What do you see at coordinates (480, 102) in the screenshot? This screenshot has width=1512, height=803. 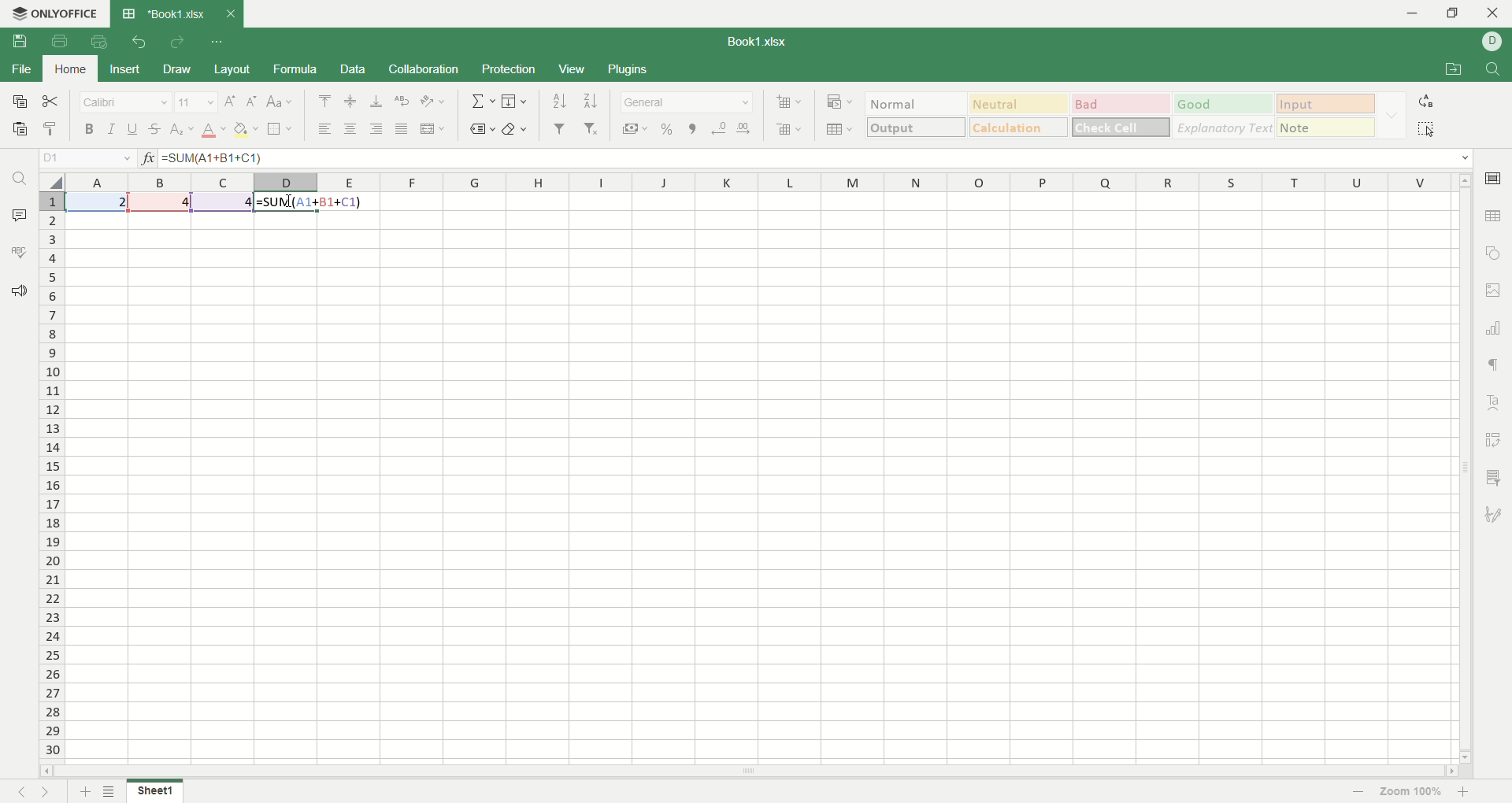 I see `summation` at bounding box center [480, 102].